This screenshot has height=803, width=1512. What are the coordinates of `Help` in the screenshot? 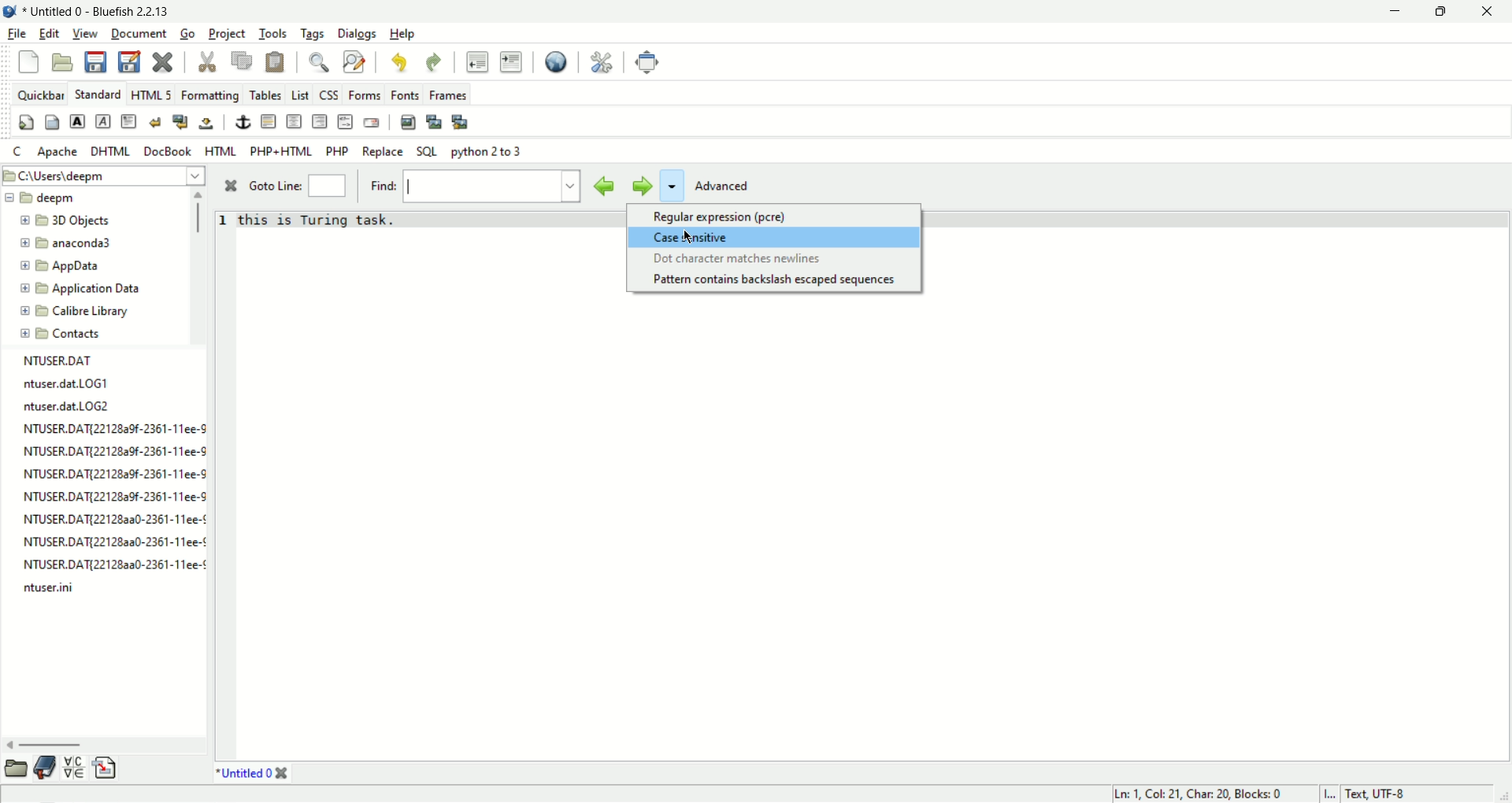 It's located at (402, 34).